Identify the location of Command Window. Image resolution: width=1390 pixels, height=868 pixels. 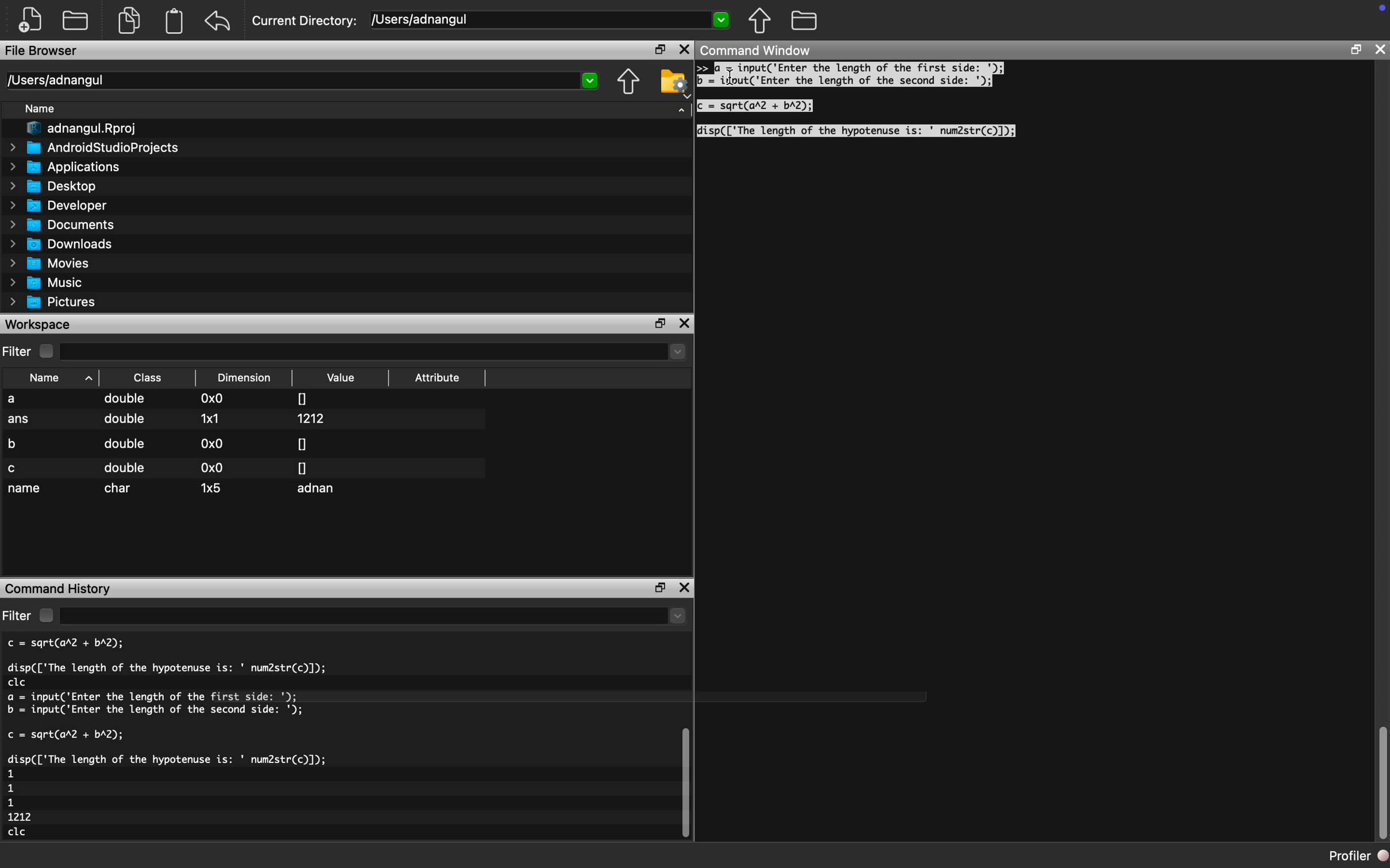
(756, 49).